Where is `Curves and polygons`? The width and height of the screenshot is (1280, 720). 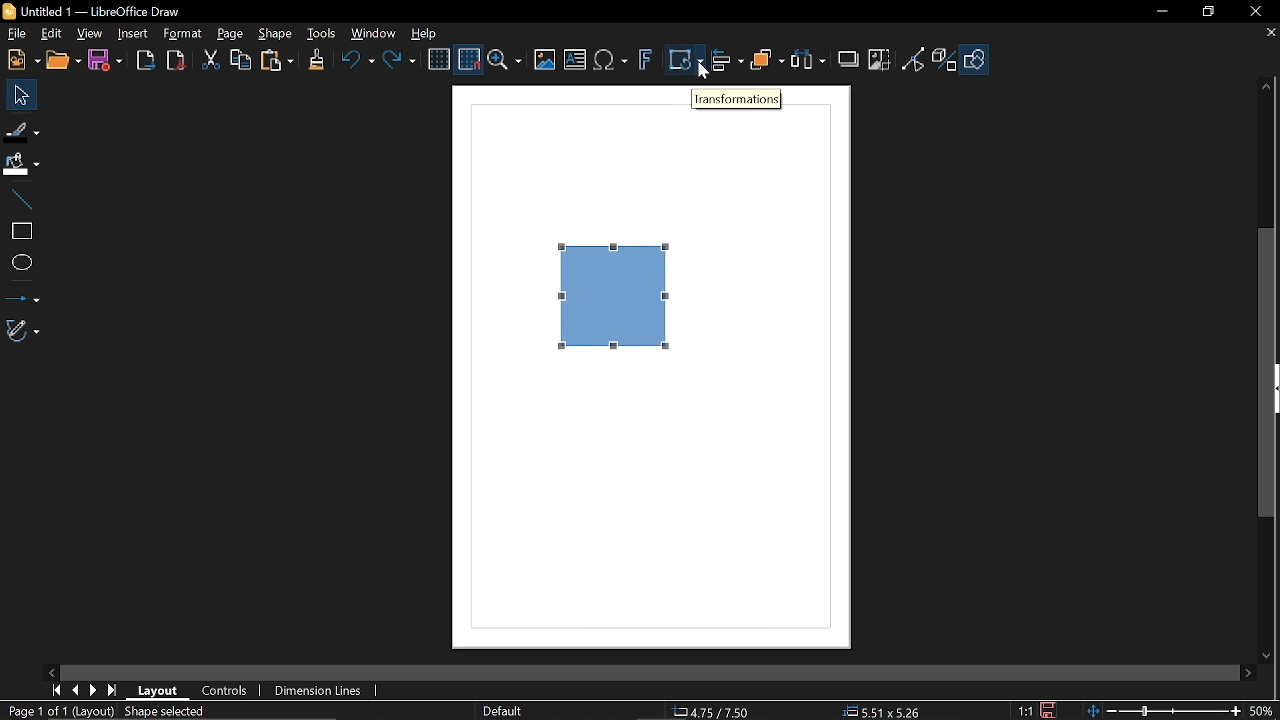
Curves and polygons is located at coordinates (21, 331).